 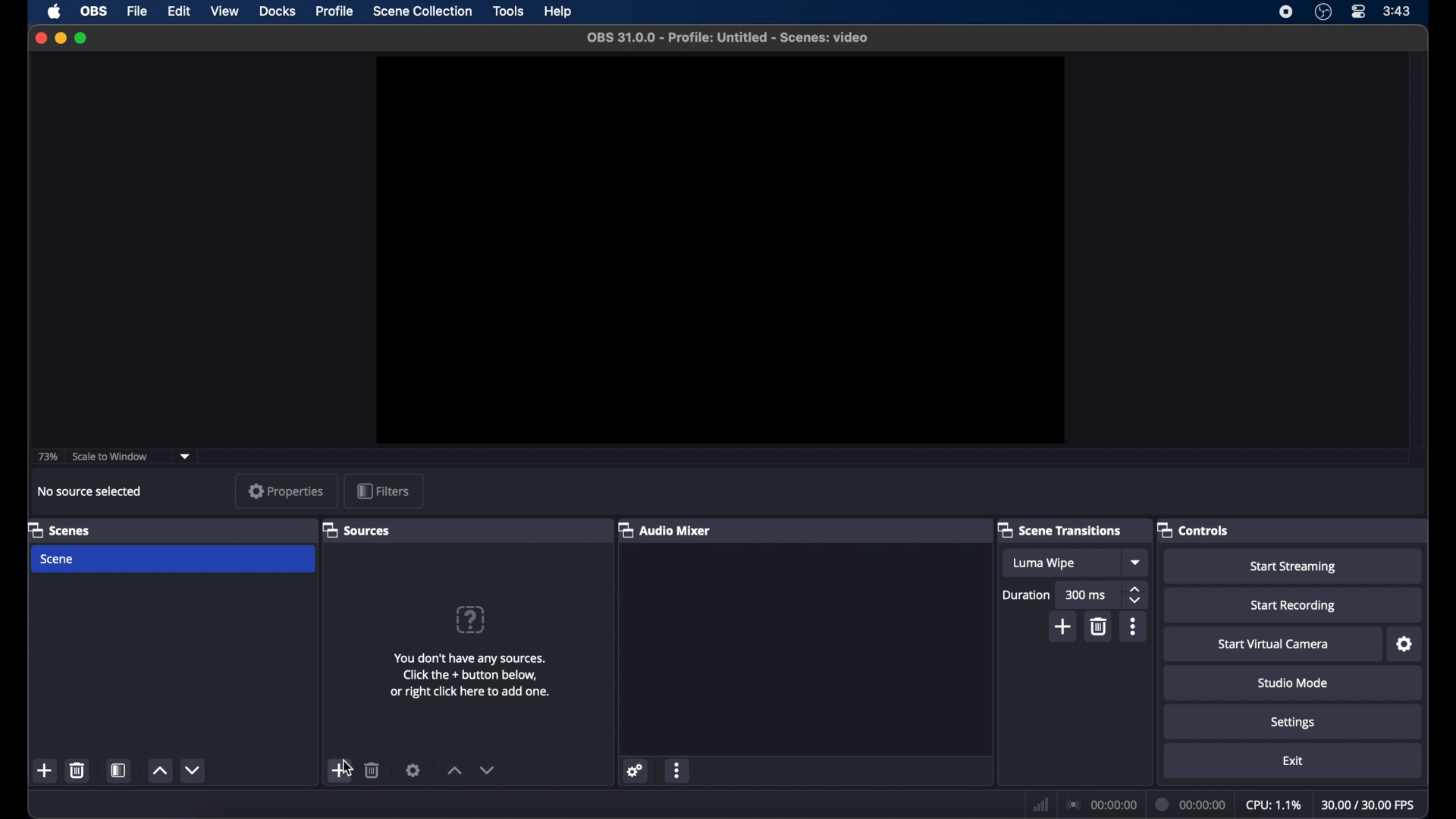 I want to click on 73%, so click(x=46, y=457).